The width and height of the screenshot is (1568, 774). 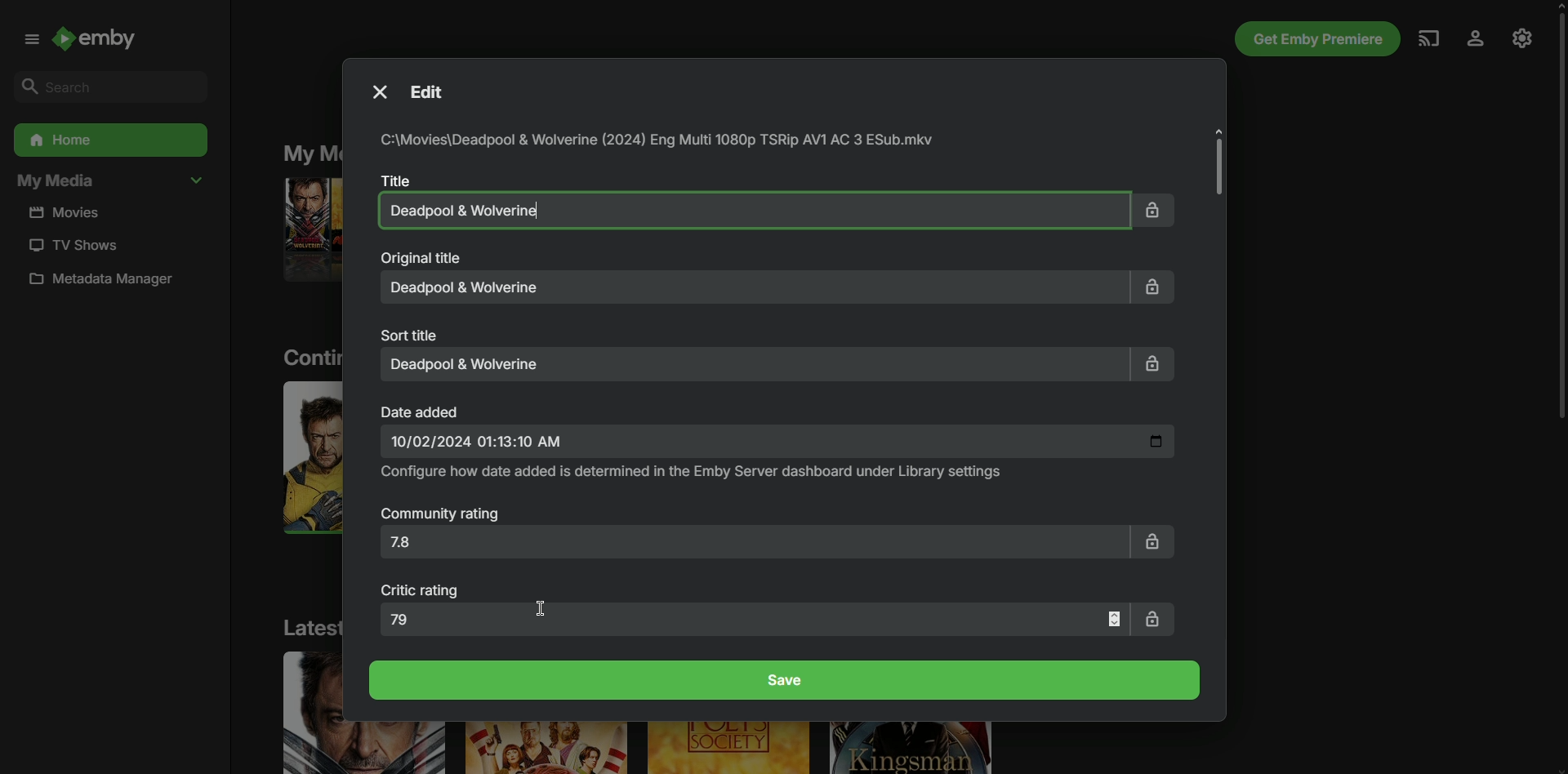 I want to click on Scroll, so click(x=1555, y=220).